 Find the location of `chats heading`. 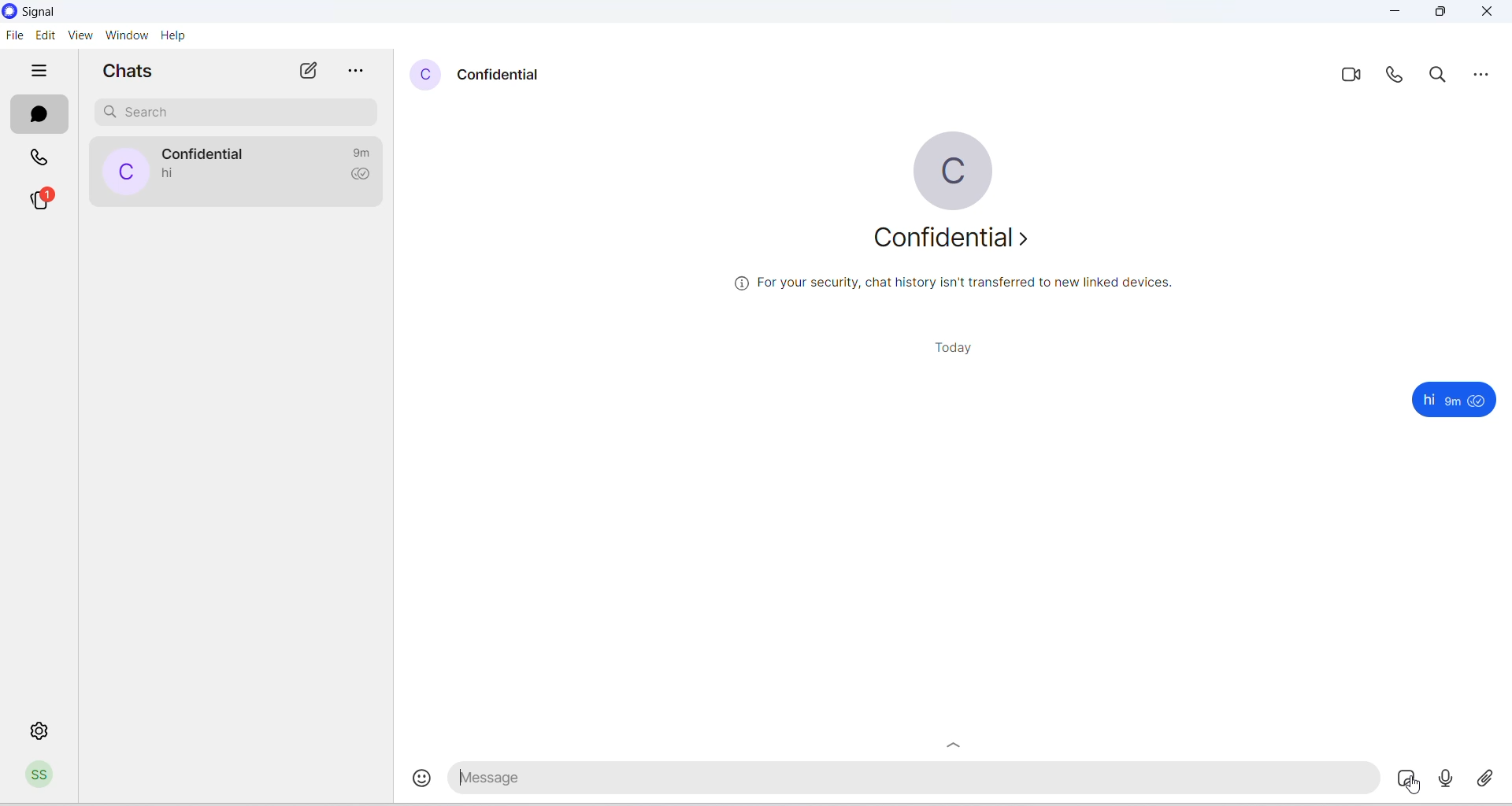

chats heading is located at coordinates (130, 72).